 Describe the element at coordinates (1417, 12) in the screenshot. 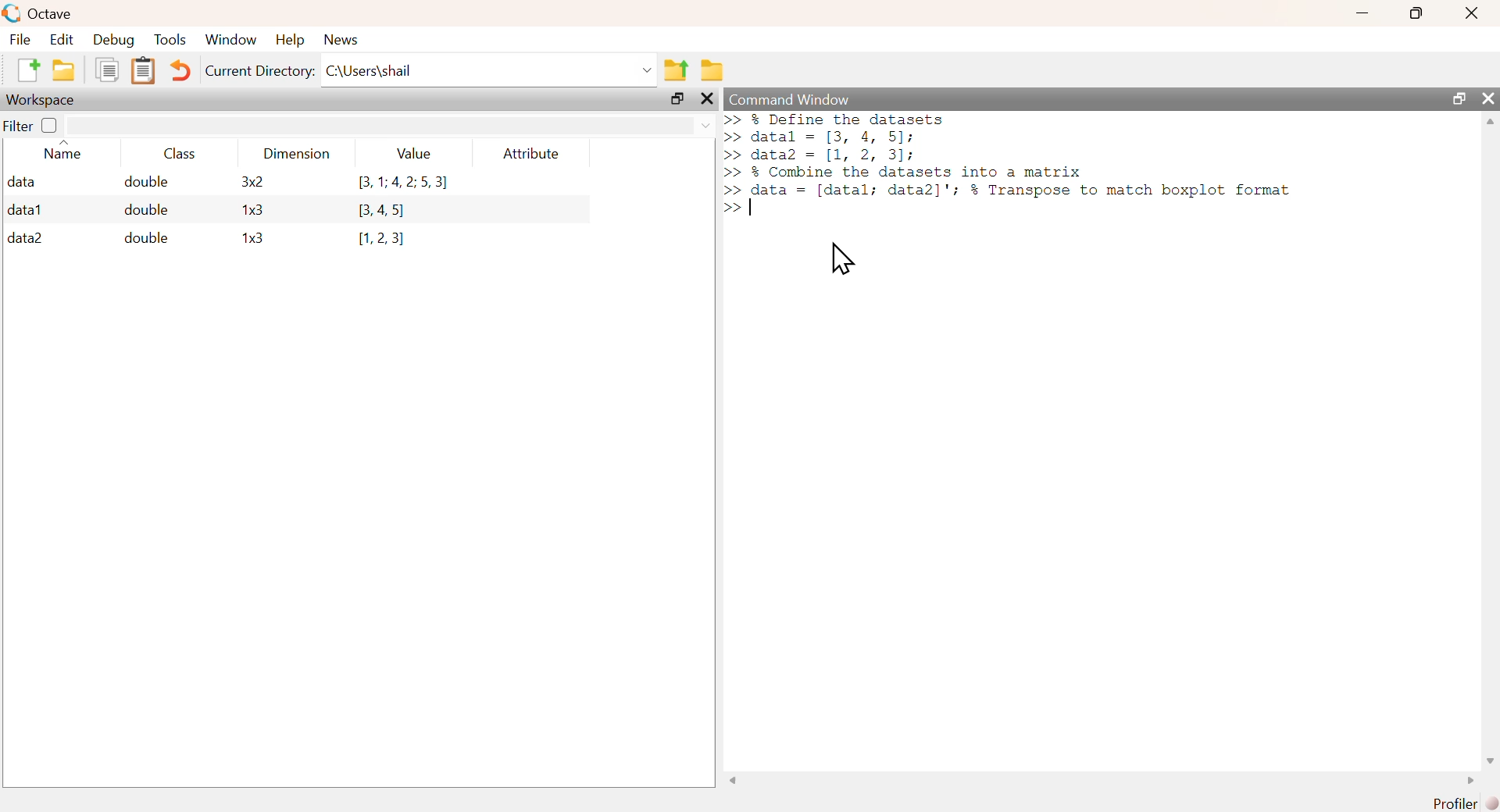

I see `maximize` at that location.